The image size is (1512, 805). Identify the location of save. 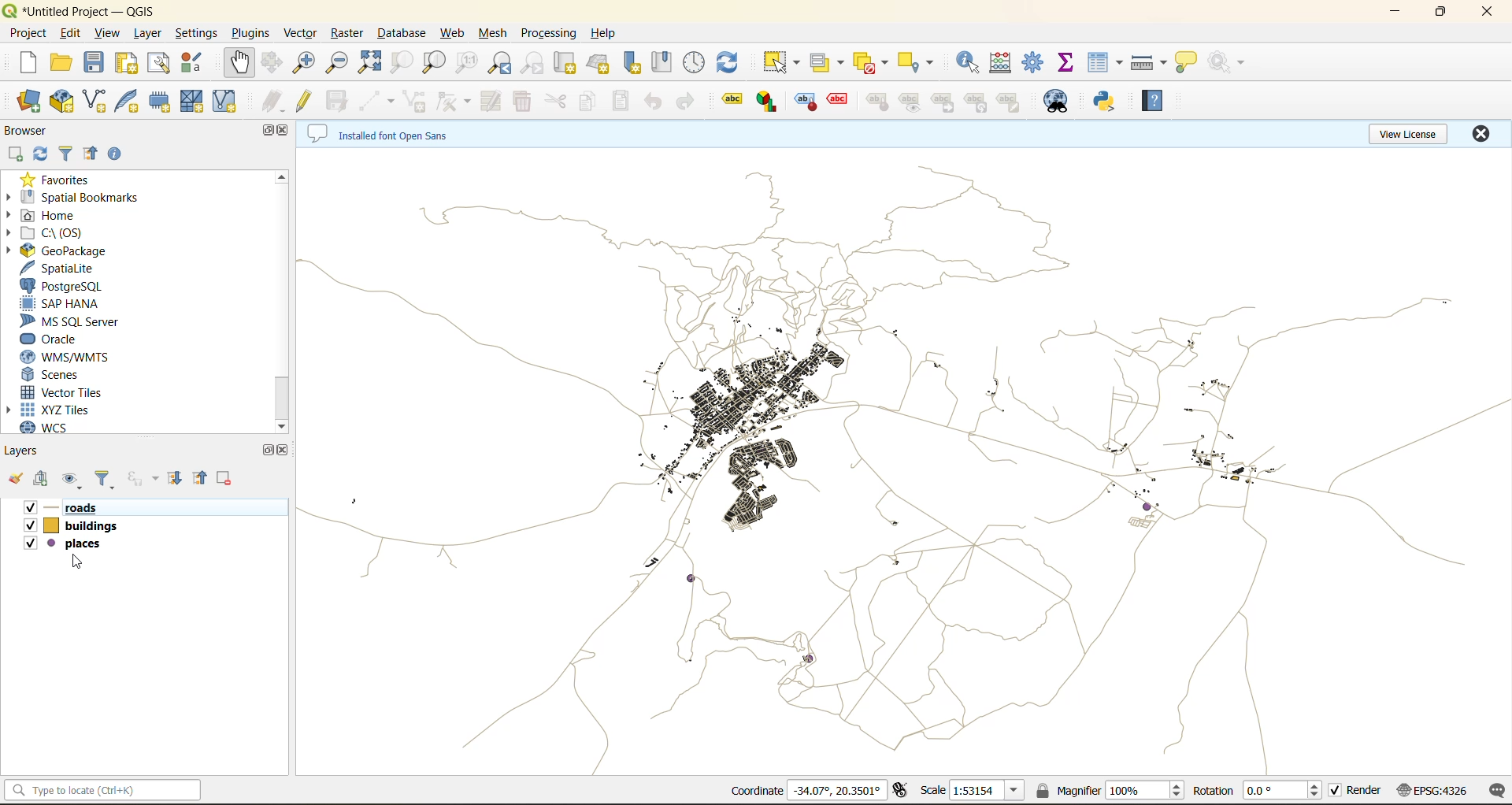
(97, 65).